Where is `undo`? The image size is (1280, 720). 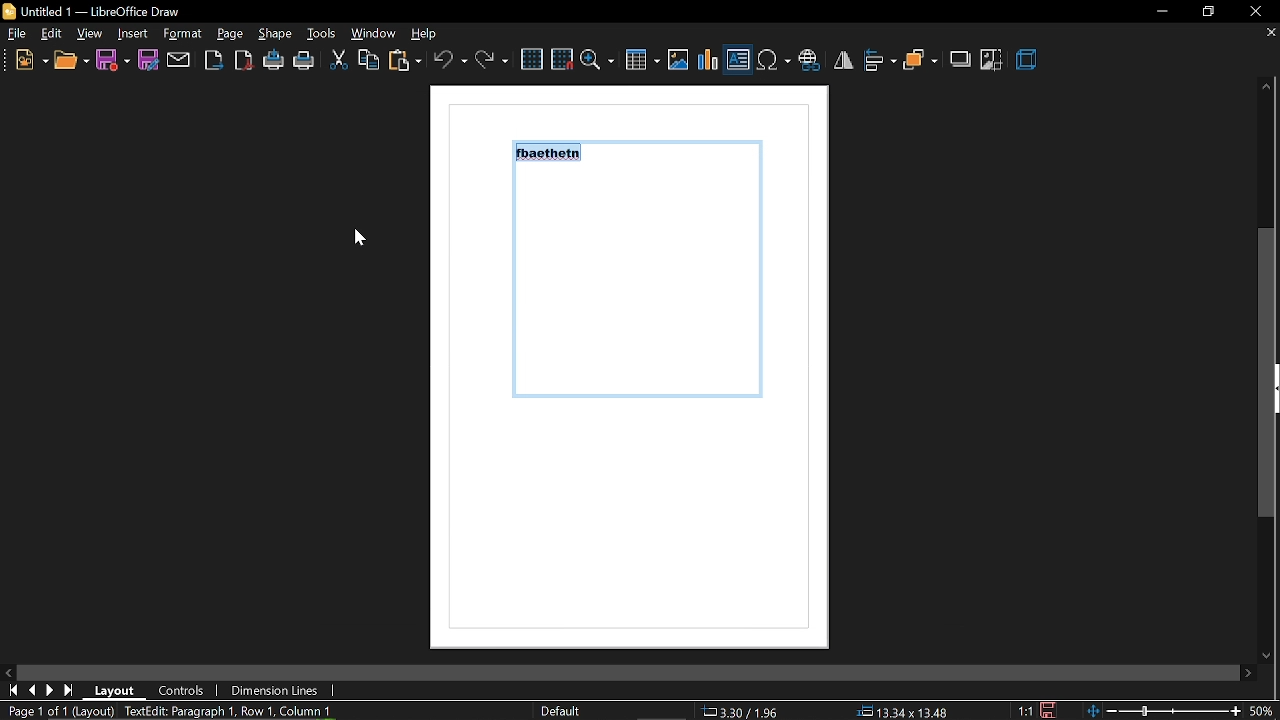 undo is located at coordinates (449, 60).